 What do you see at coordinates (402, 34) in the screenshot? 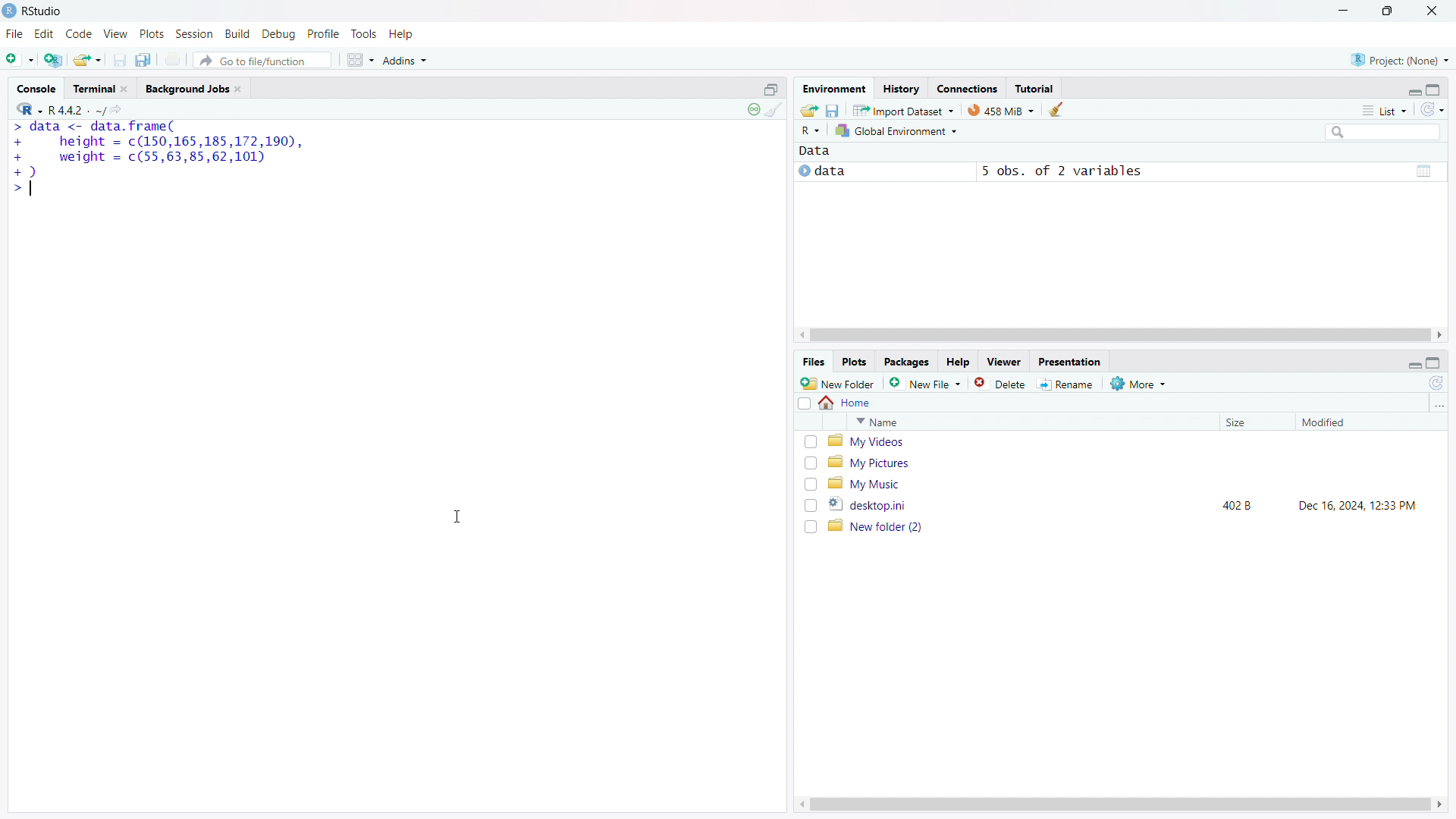
I see `help` at bounding box center [402, 34].